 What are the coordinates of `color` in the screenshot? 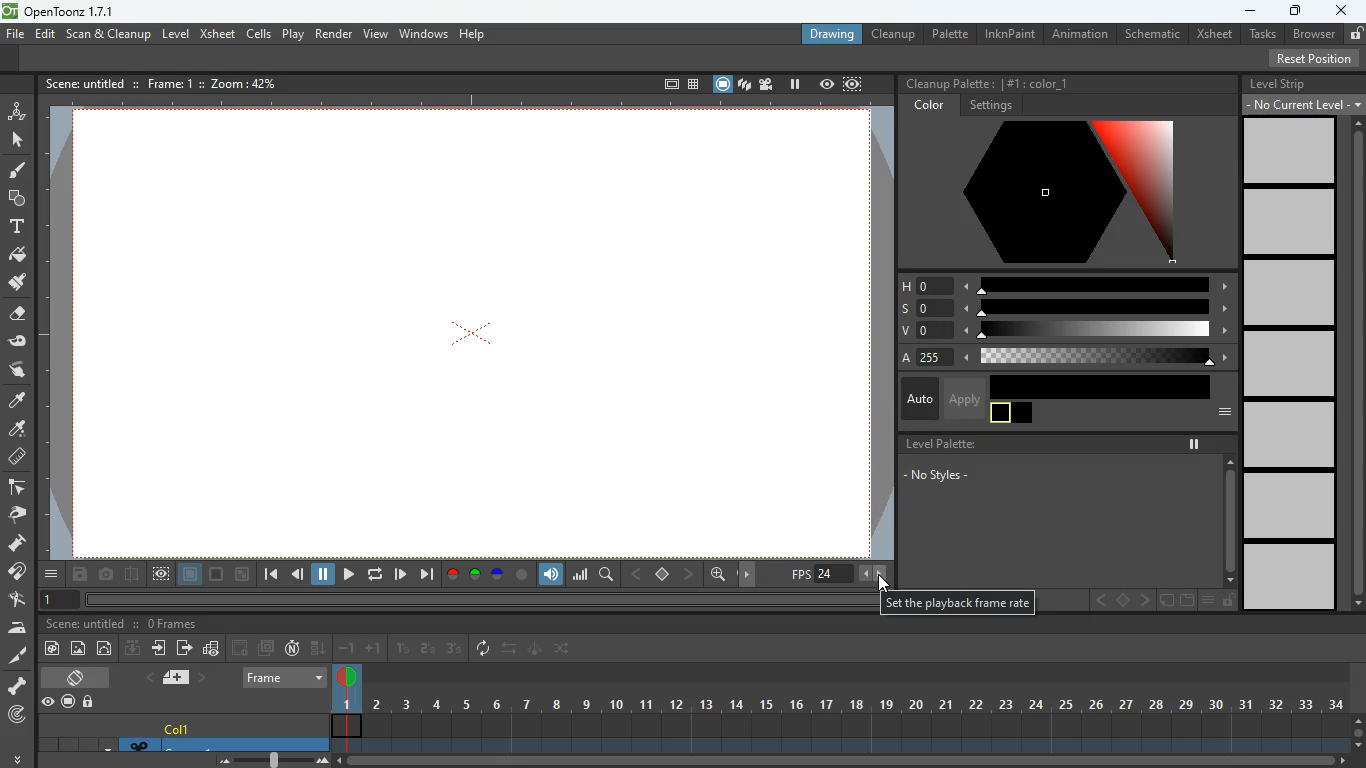 It's located at (1036, 83).